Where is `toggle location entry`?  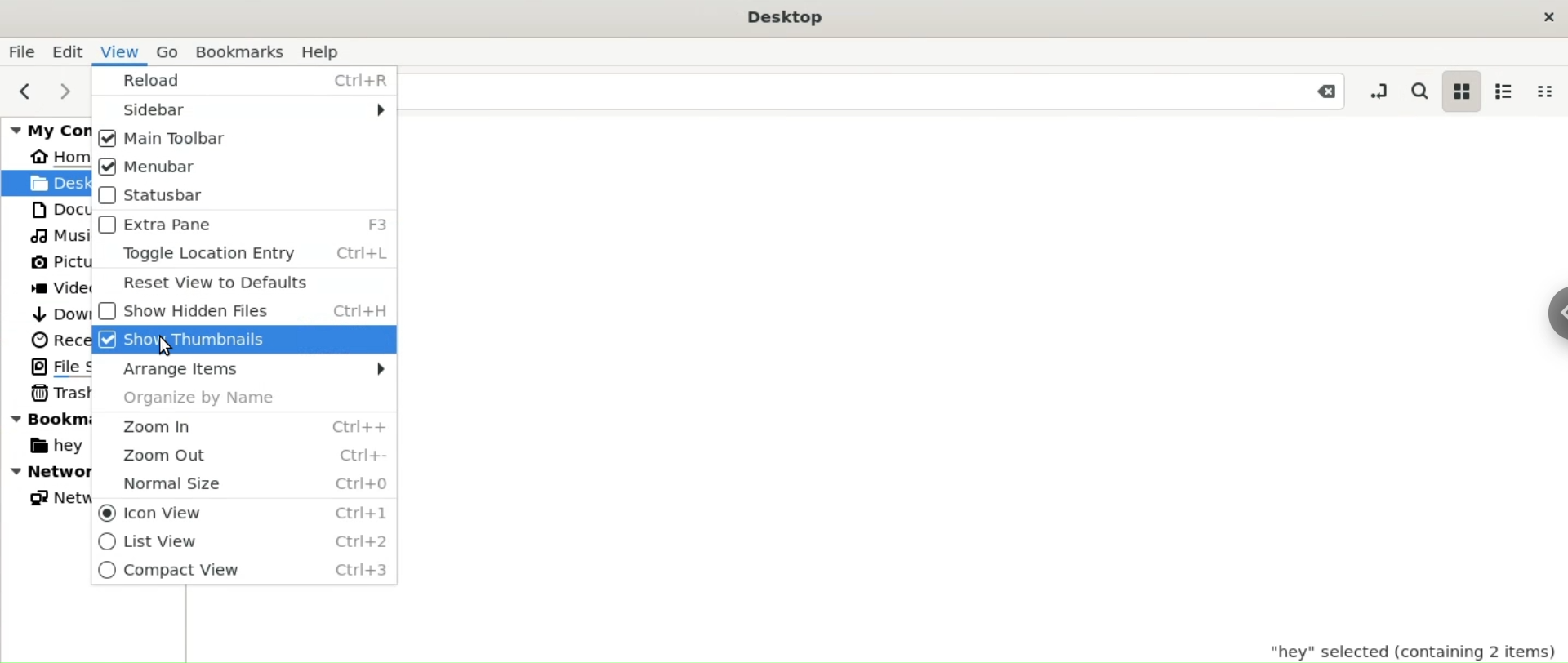
toggle location entry is located at coordinates (1374, 88).